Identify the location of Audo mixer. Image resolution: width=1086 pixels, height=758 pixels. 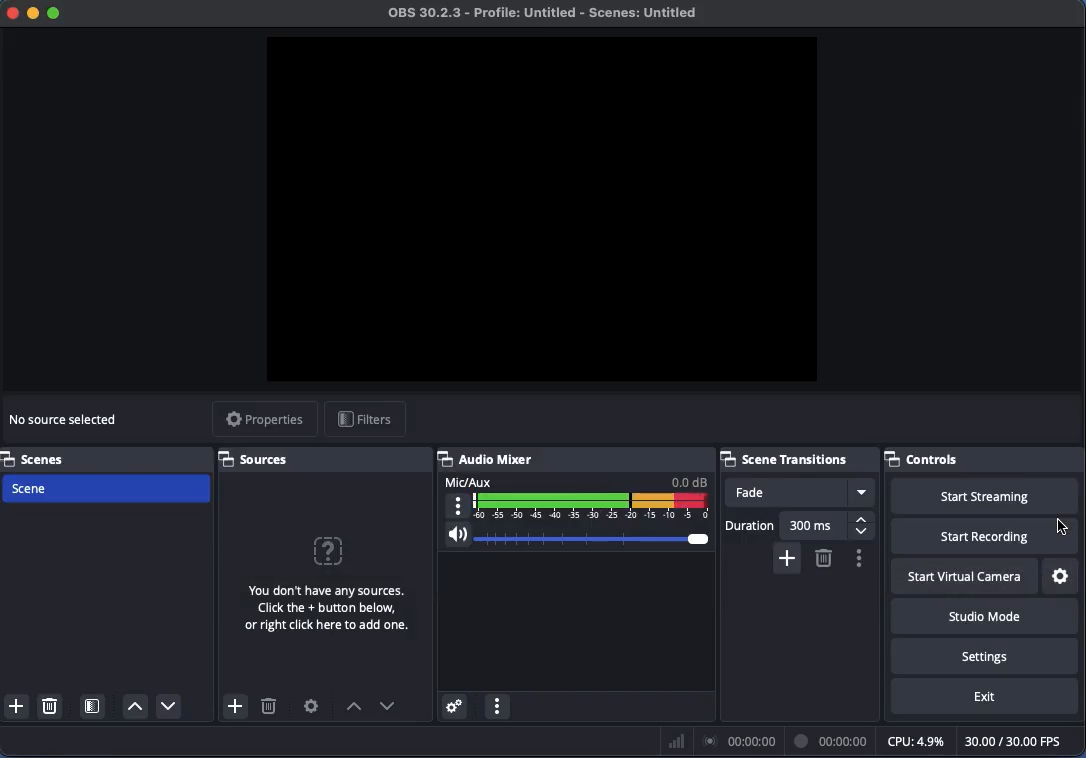
(577, 459).